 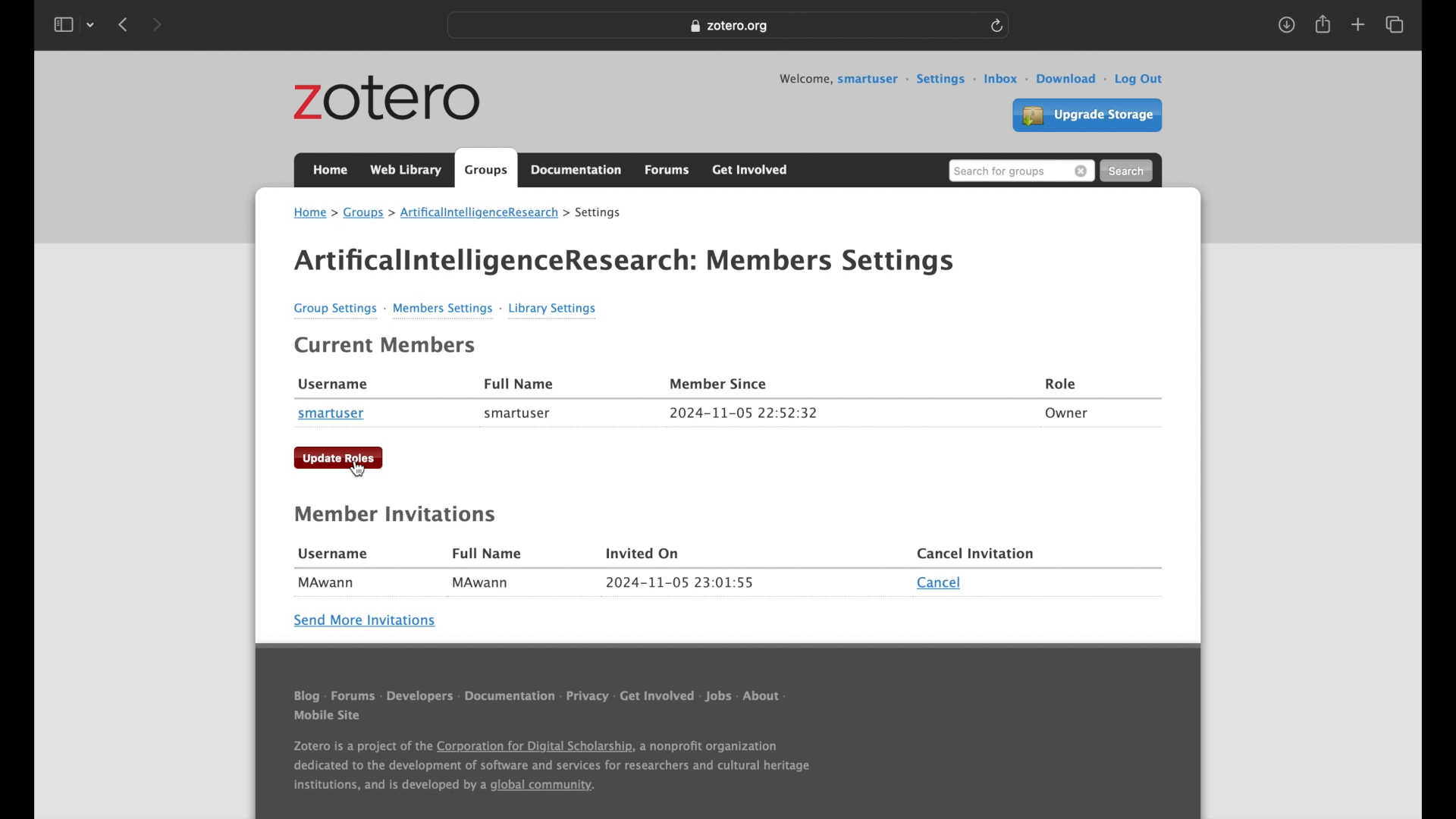 What do you see at coordinates (1071, 418) in the screenshot?
I see `Owner` at bounding box center [1071, 418].